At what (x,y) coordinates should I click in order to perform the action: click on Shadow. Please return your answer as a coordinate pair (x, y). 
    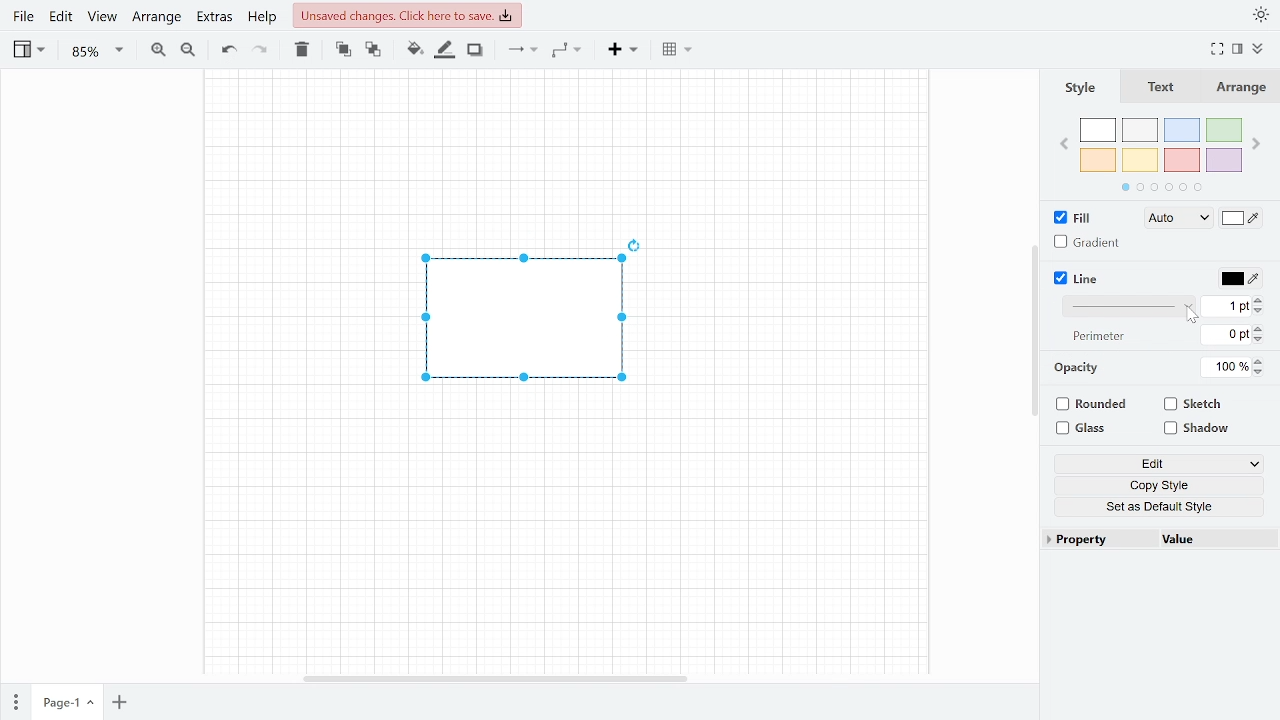
    Looking at the image, I should click on (1203, 428).